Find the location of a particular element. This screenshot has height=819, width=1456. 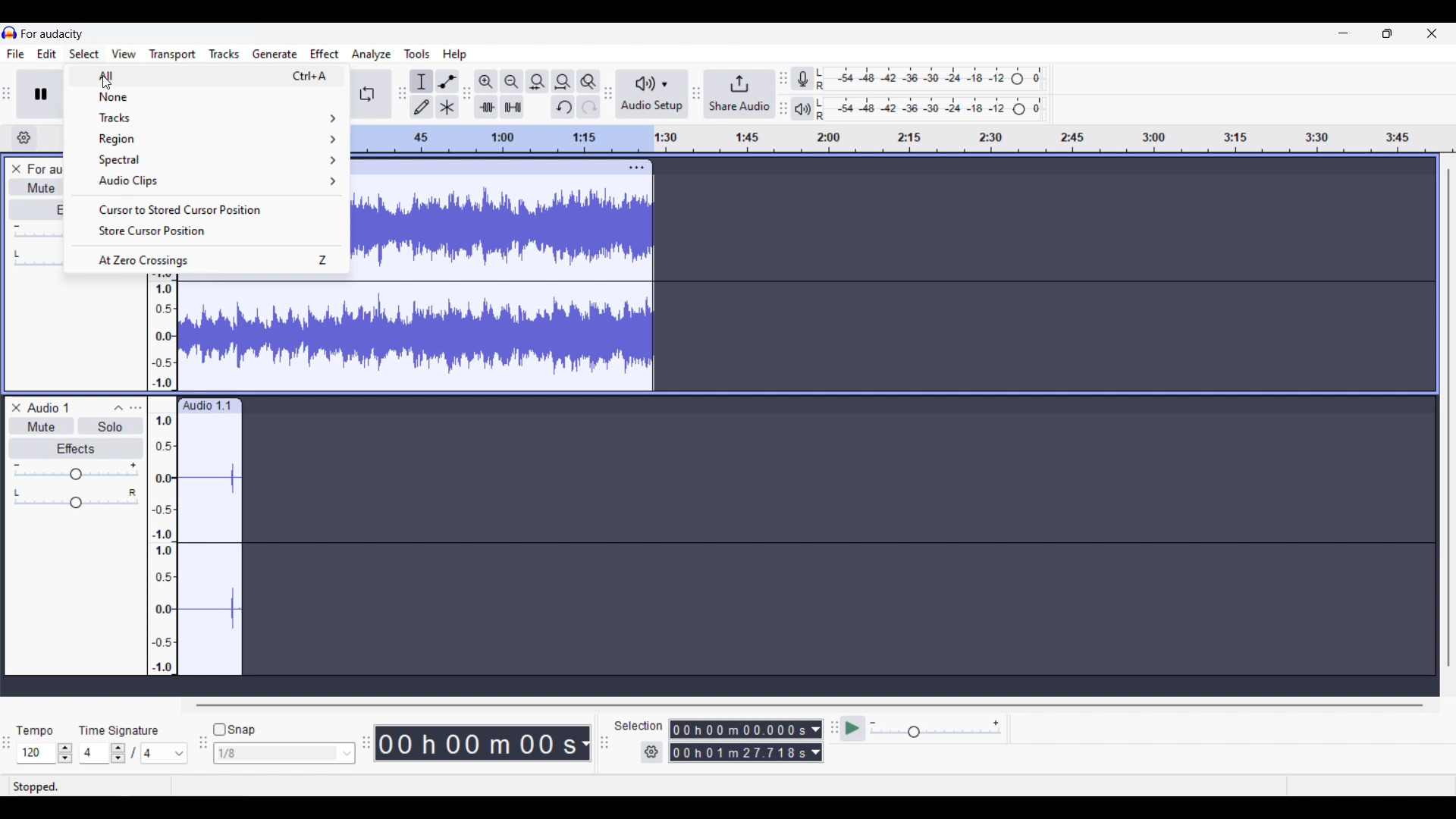

Vertical slide bar is located at coordinates (1449, 417).